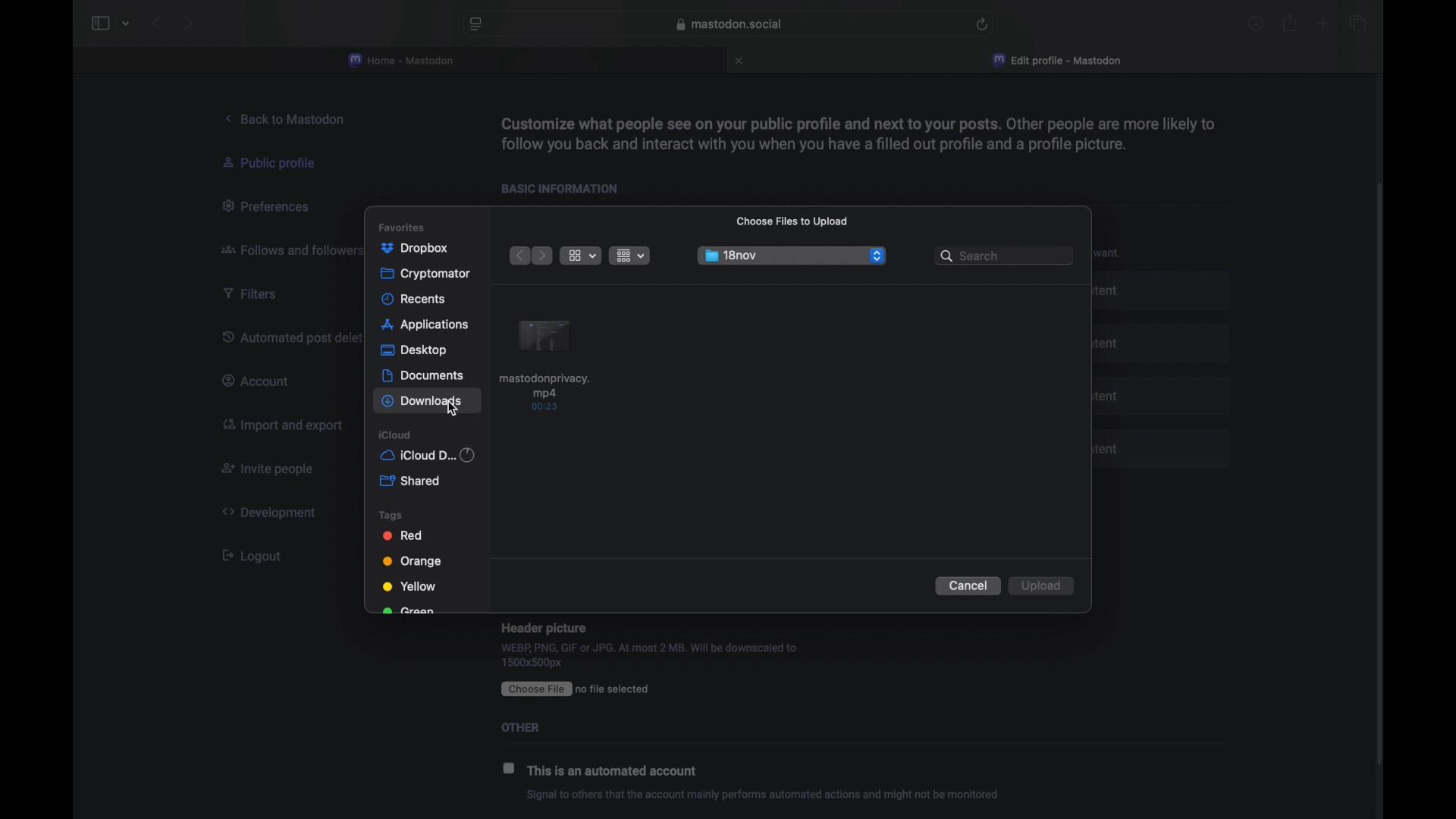 This screenshot has height=819, width=1456. What do you see at coordinates (422, 375) in the screenshot?
I see `documents` at bounding box center [422, 375].